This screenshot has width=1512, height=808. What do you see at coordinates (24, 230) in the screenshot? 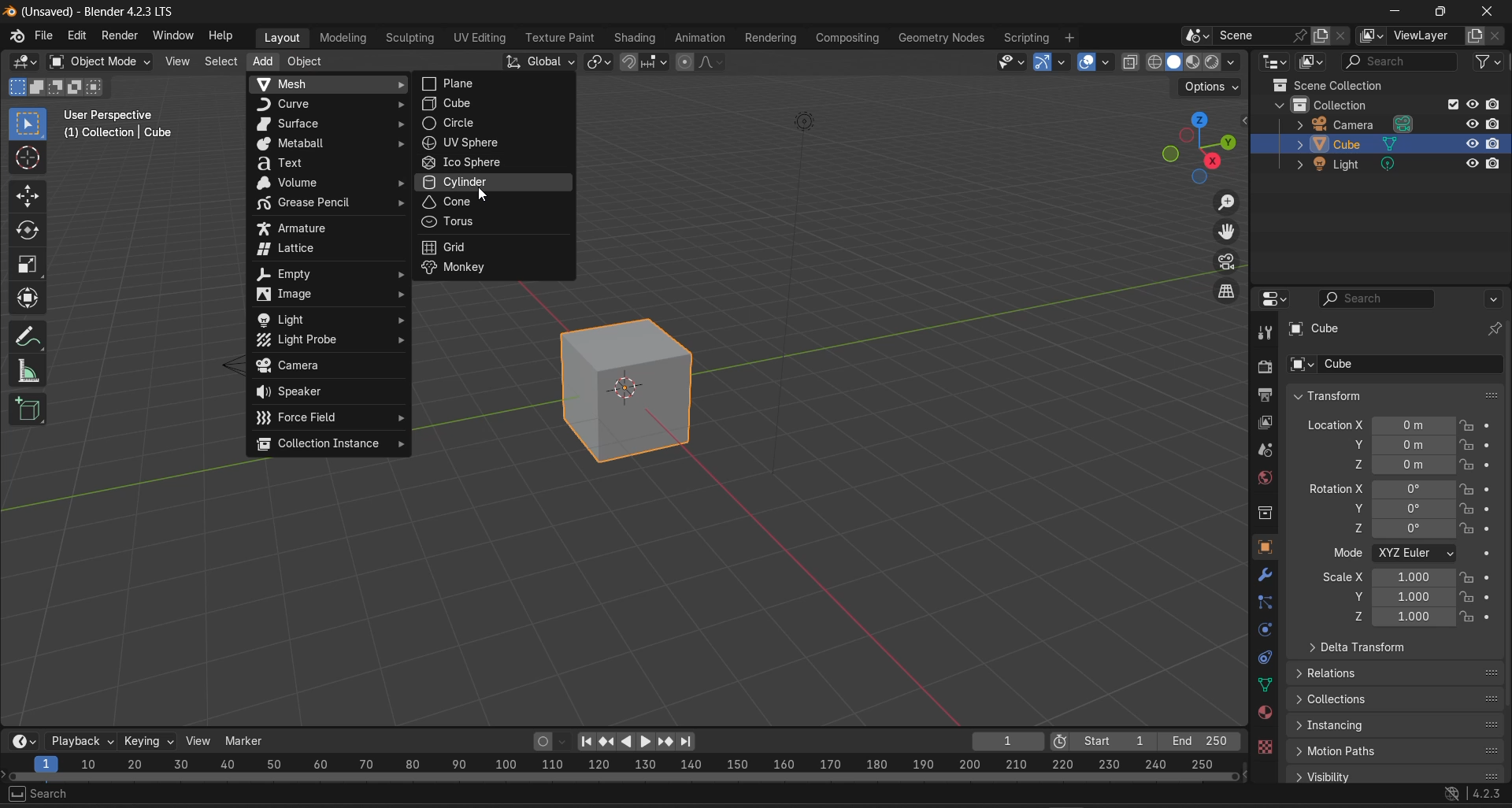
I see `rotate` at bounding box center [24, 230].